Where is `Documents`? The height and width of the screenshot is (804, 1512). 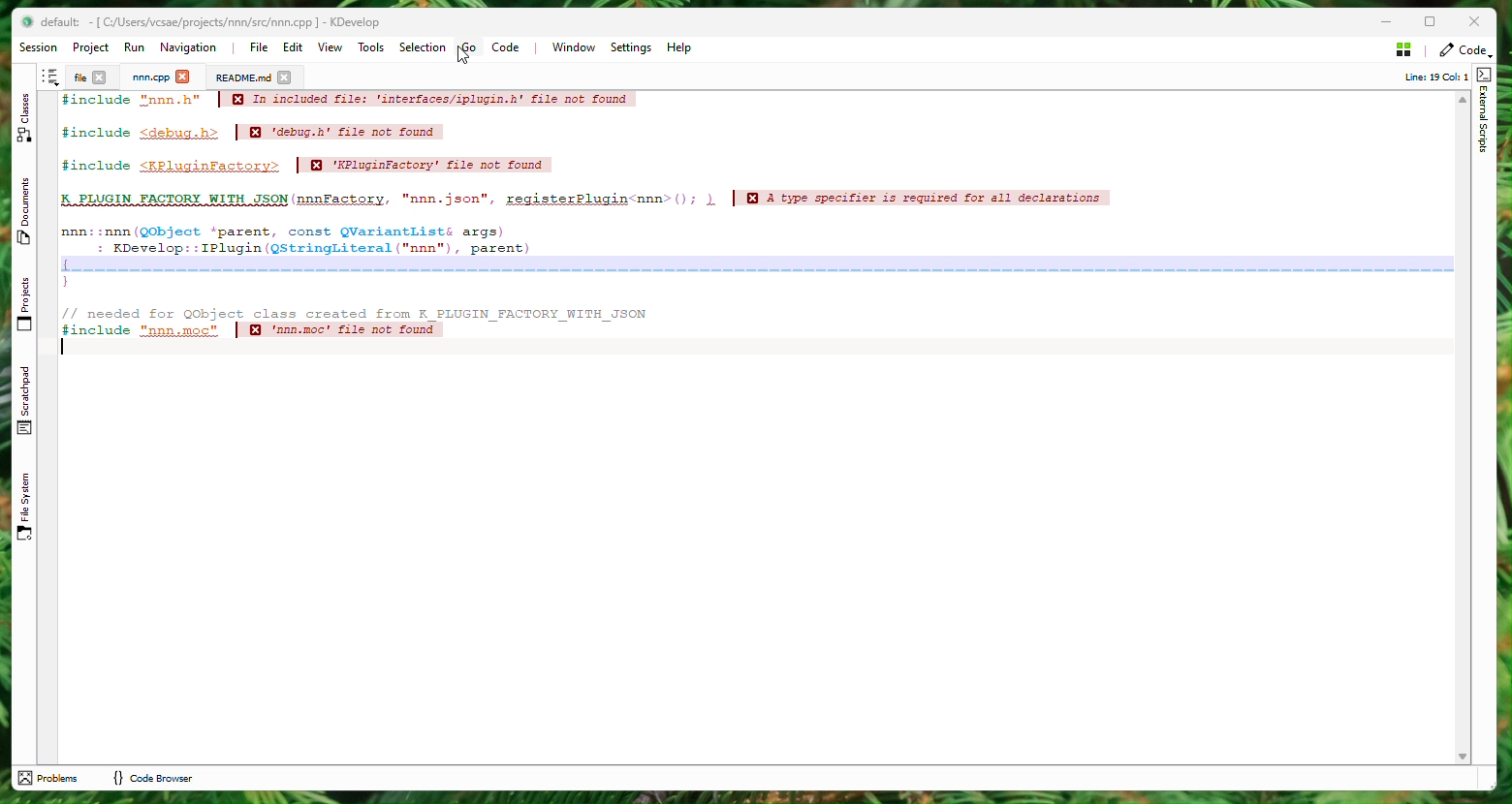 Documents is located at coordinates (242, 77).